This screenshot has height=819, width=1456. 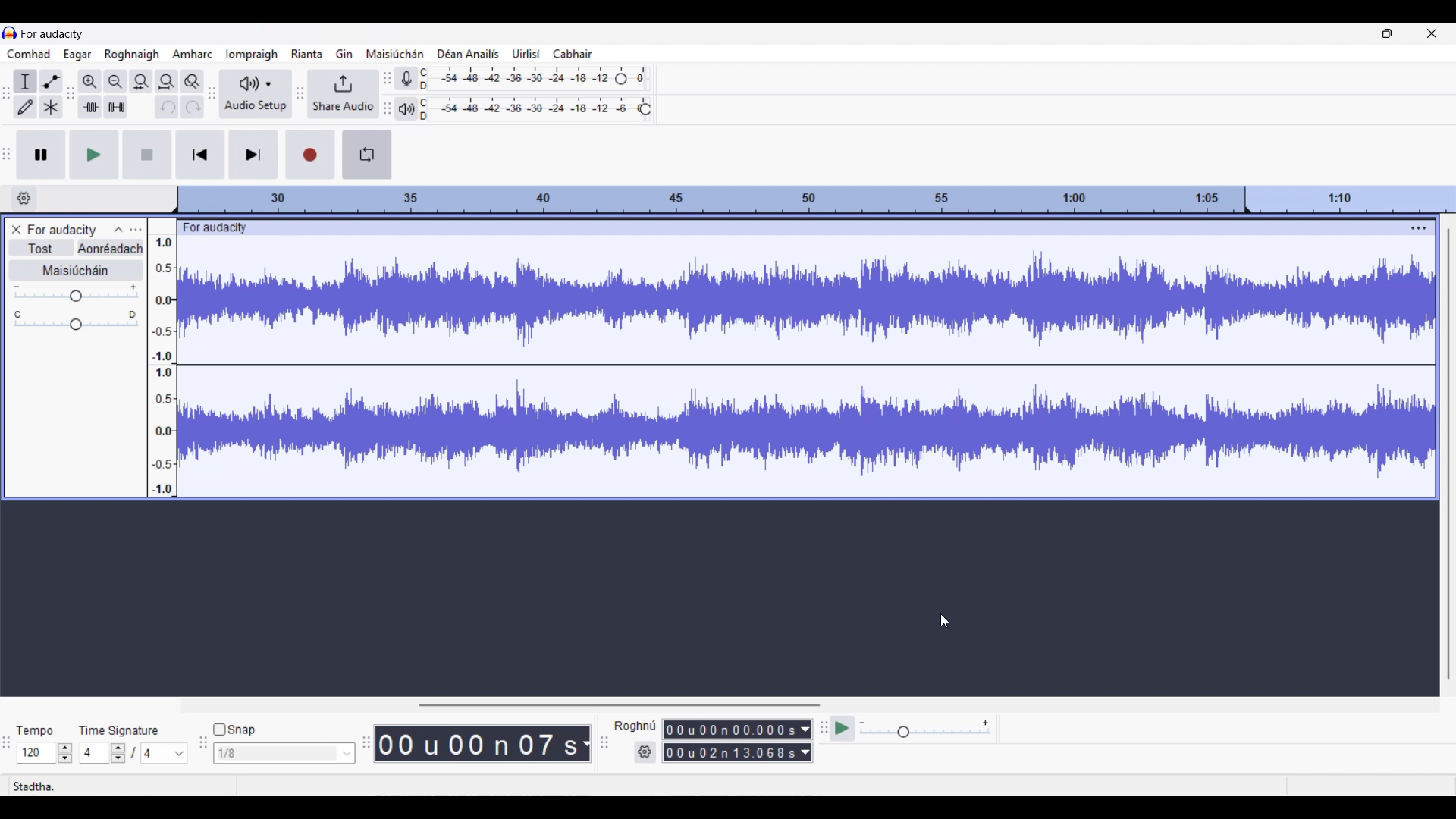 What do you see at coordinates (192, 106) in the screenshot?
I see `Redo` at bounding box center [192, 106].